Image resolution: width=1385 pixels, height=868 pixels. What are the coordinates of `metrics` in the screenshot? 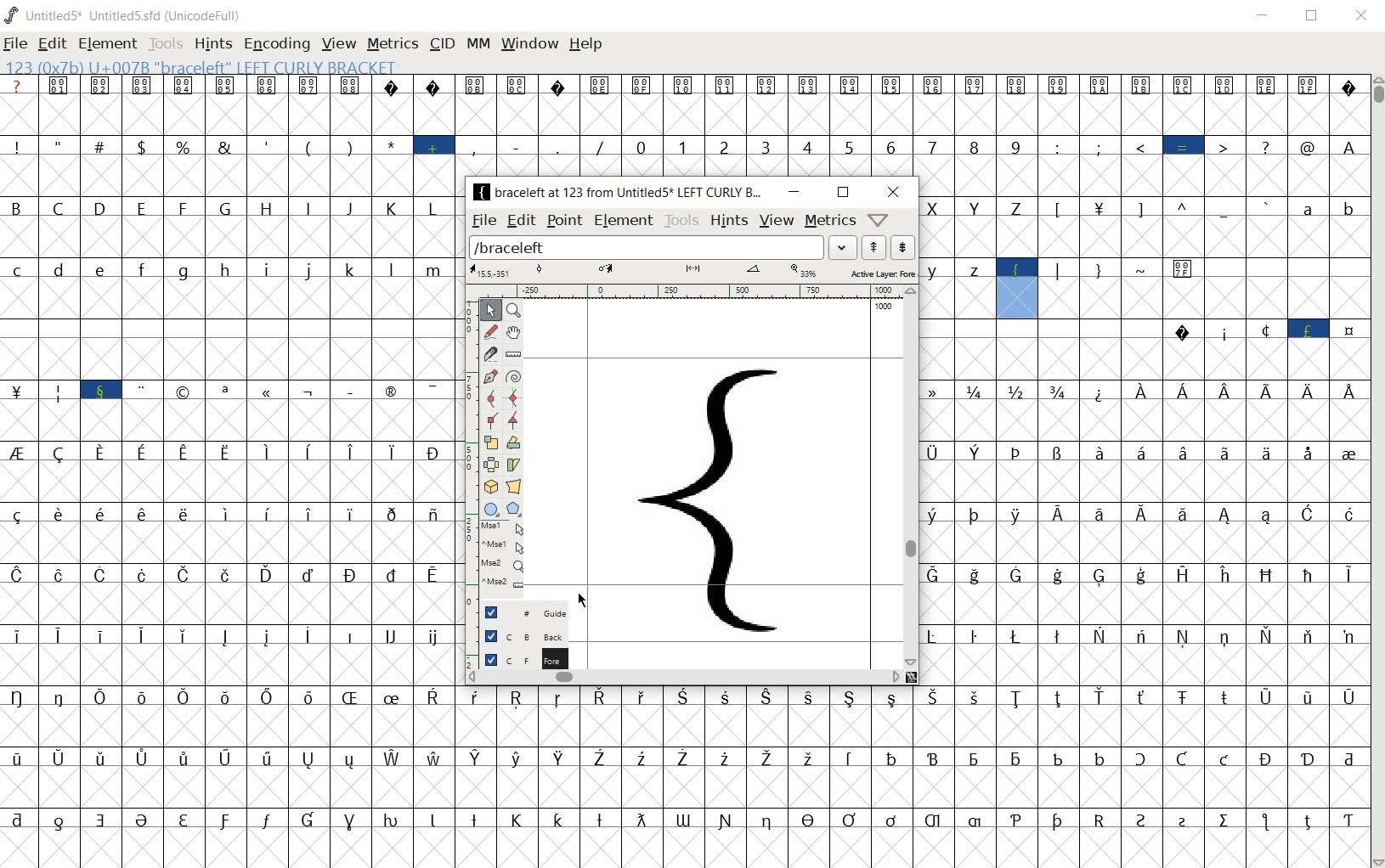 It's located at (392, 43).